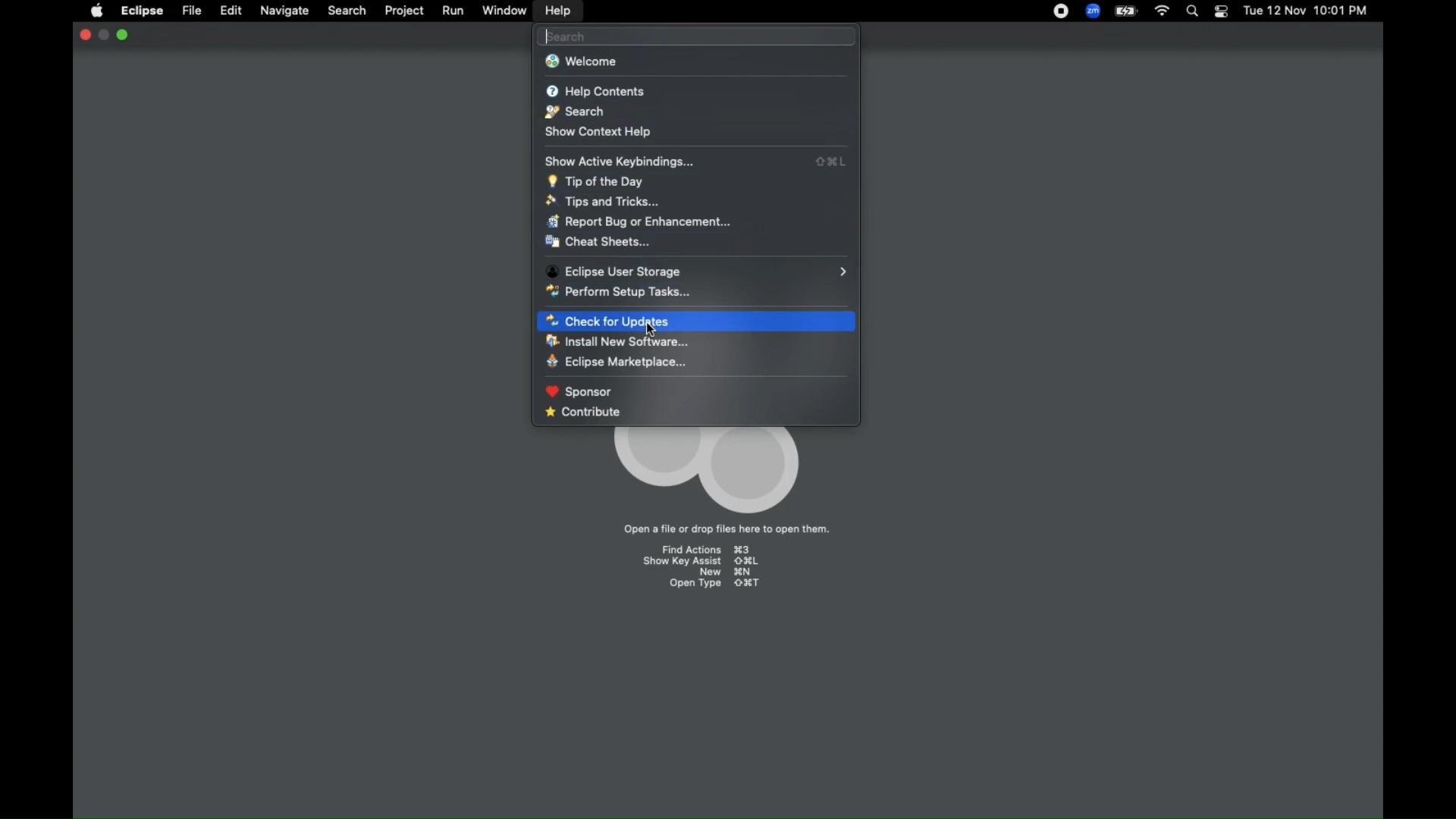 This screenshot has height=819, width=1456. Describe the element at coordinates (83, 35) in the screenshot. I see `Close` at that location.